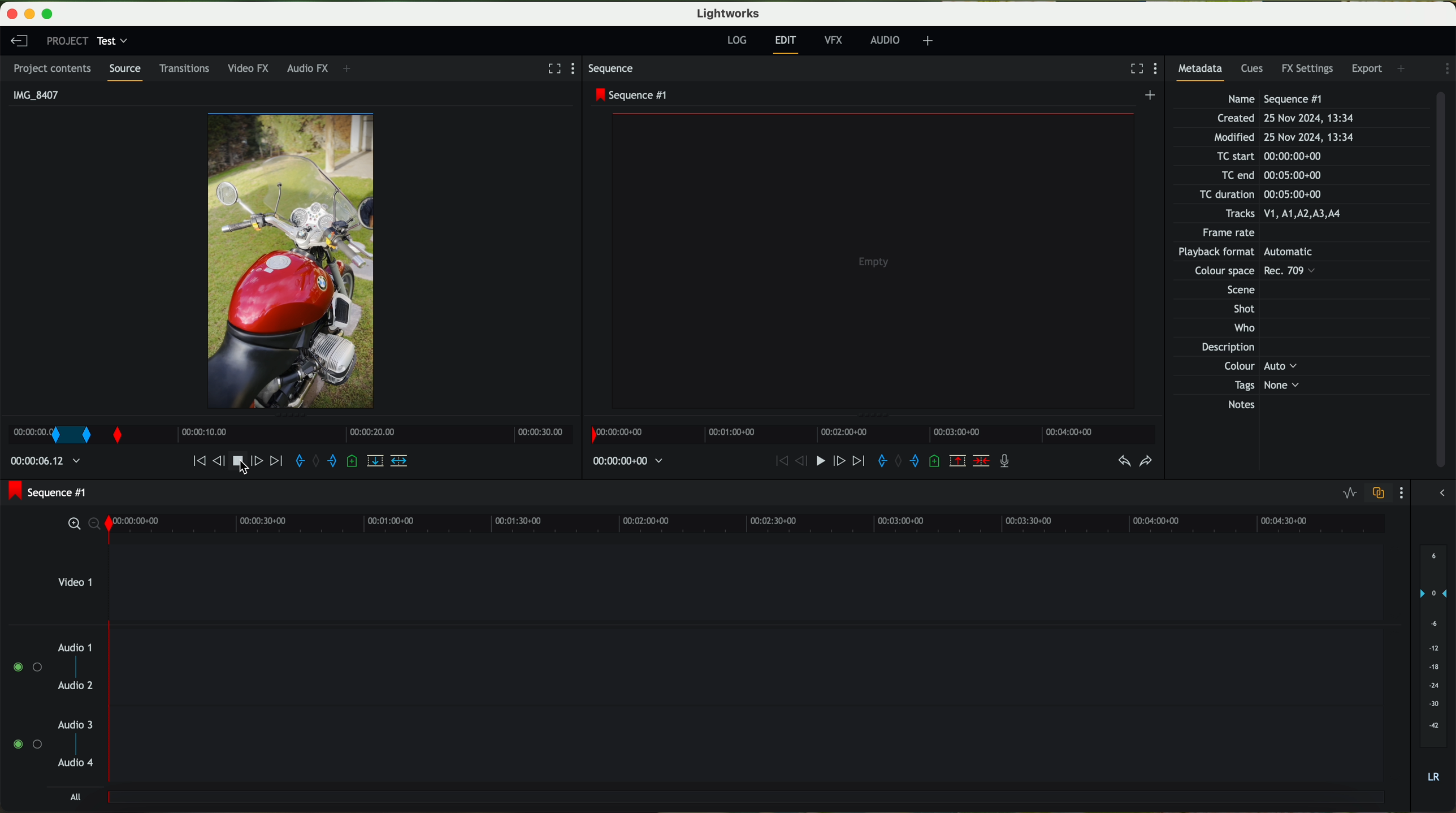 The image size is (1456, 813). Describe the element at coordinates (1281, 214) in the screenshot. I see `Tracks` at that location.